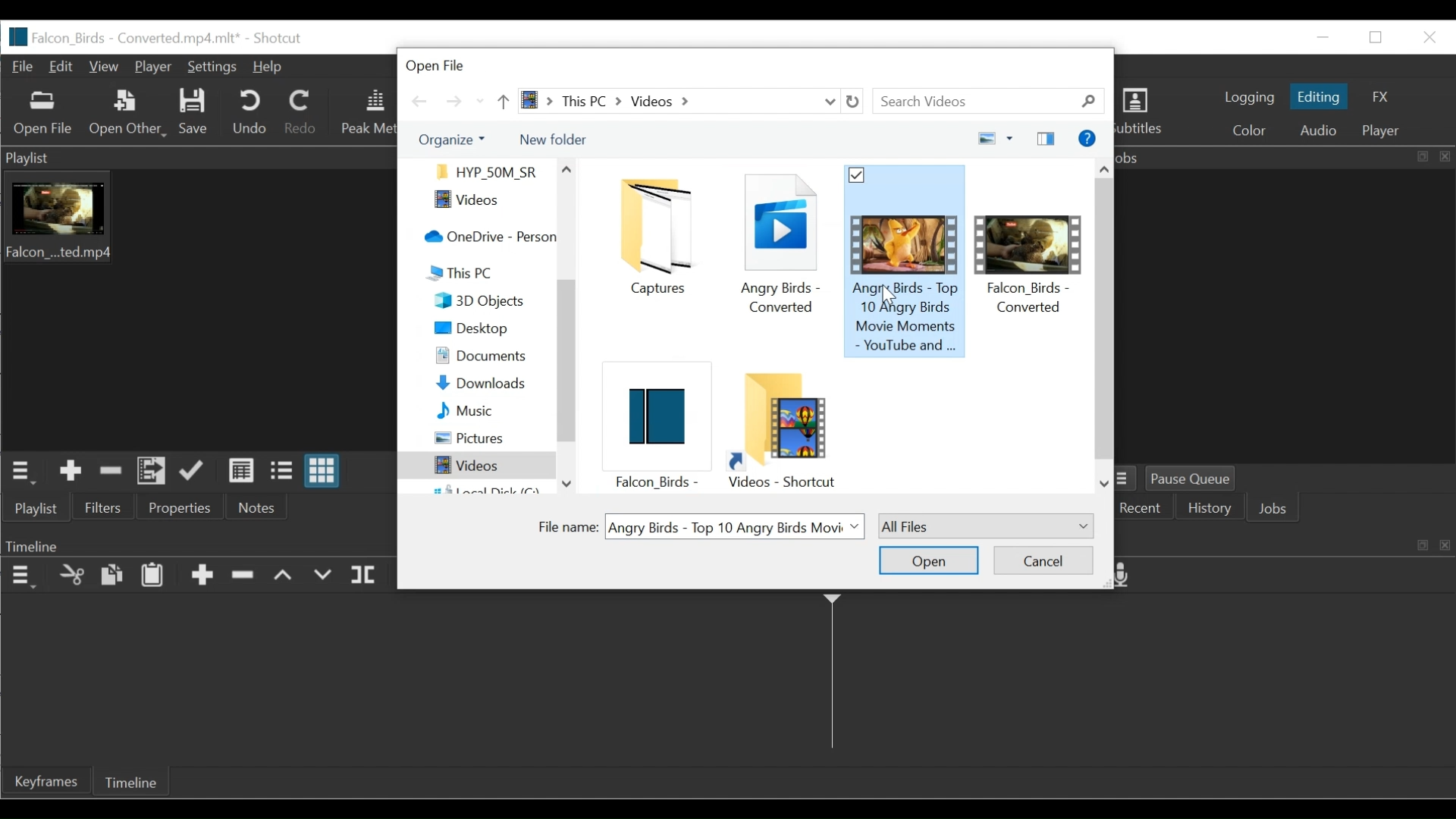  Describe the element at coordinates (485, 171) in the screenshot. I see ` HYP_S0M_SR` at that location.